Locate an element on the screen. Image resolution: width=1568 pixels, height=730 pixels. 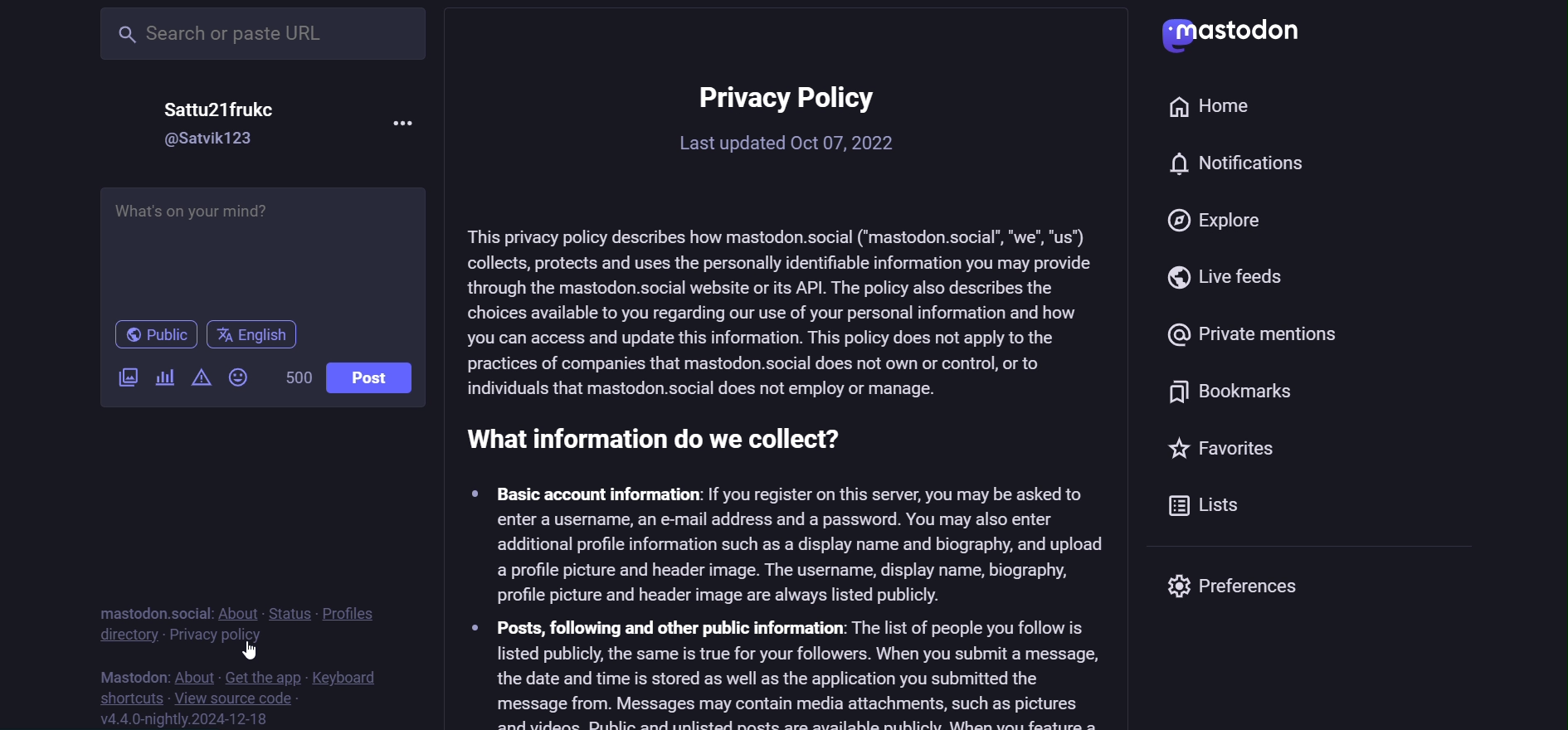
public is located at coordinates (151, 334).